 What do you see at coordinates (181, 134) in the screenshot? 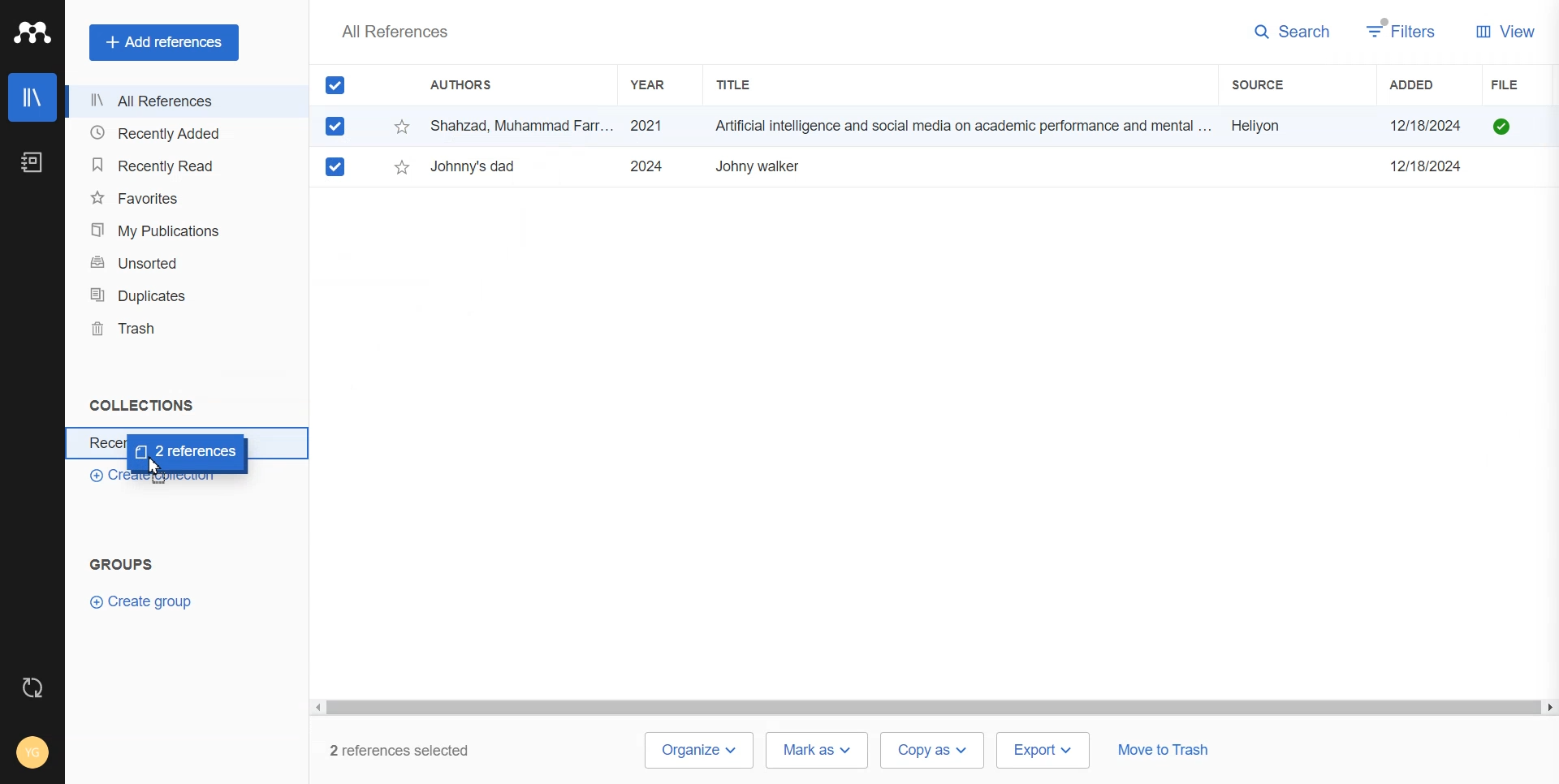
I see `Recently Added` at bounding box center [181, 134].